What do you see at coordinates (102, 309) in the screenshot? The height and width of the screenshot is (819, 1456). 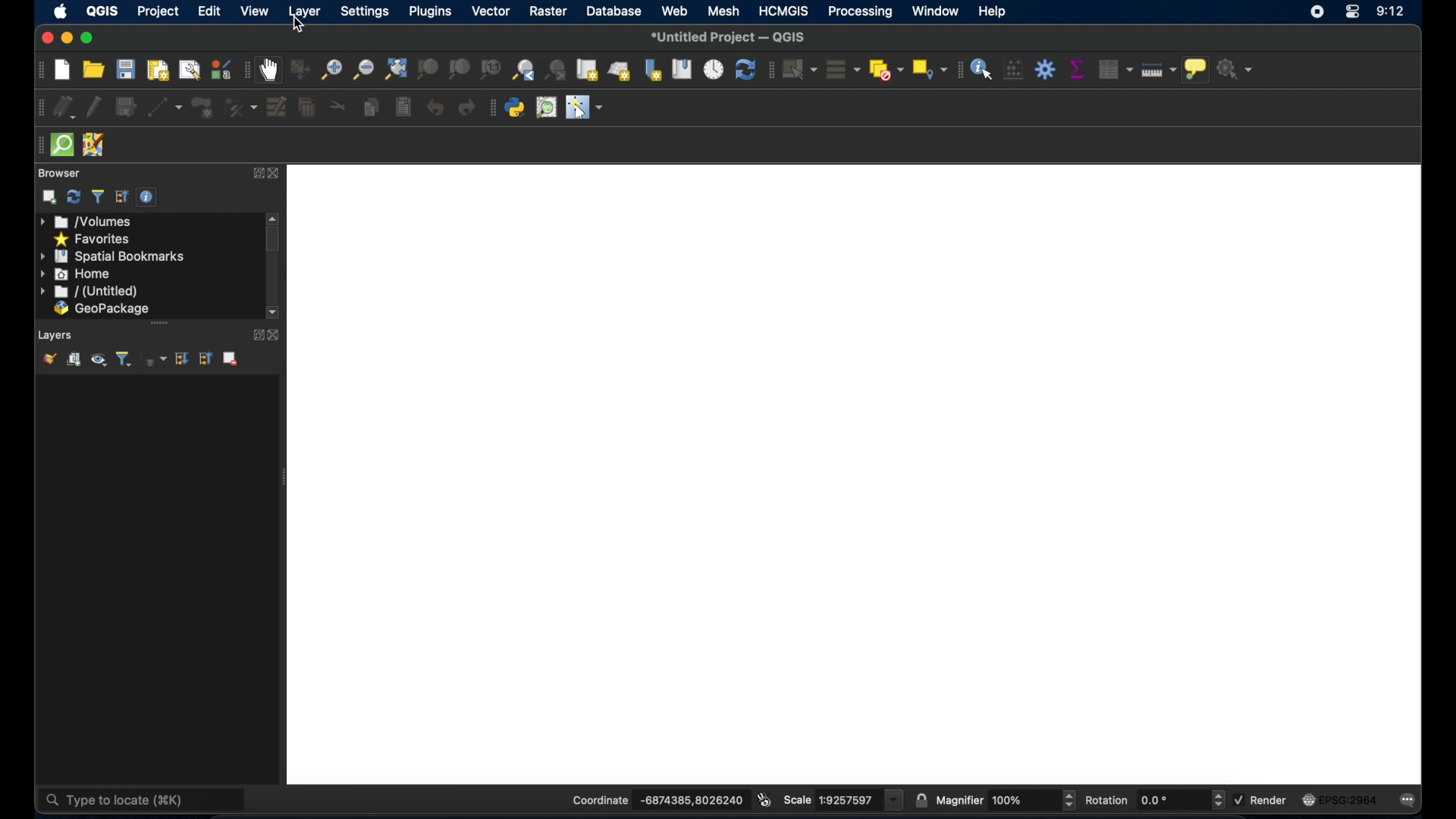 I see `geopackage` at bounding box center [102, 309].